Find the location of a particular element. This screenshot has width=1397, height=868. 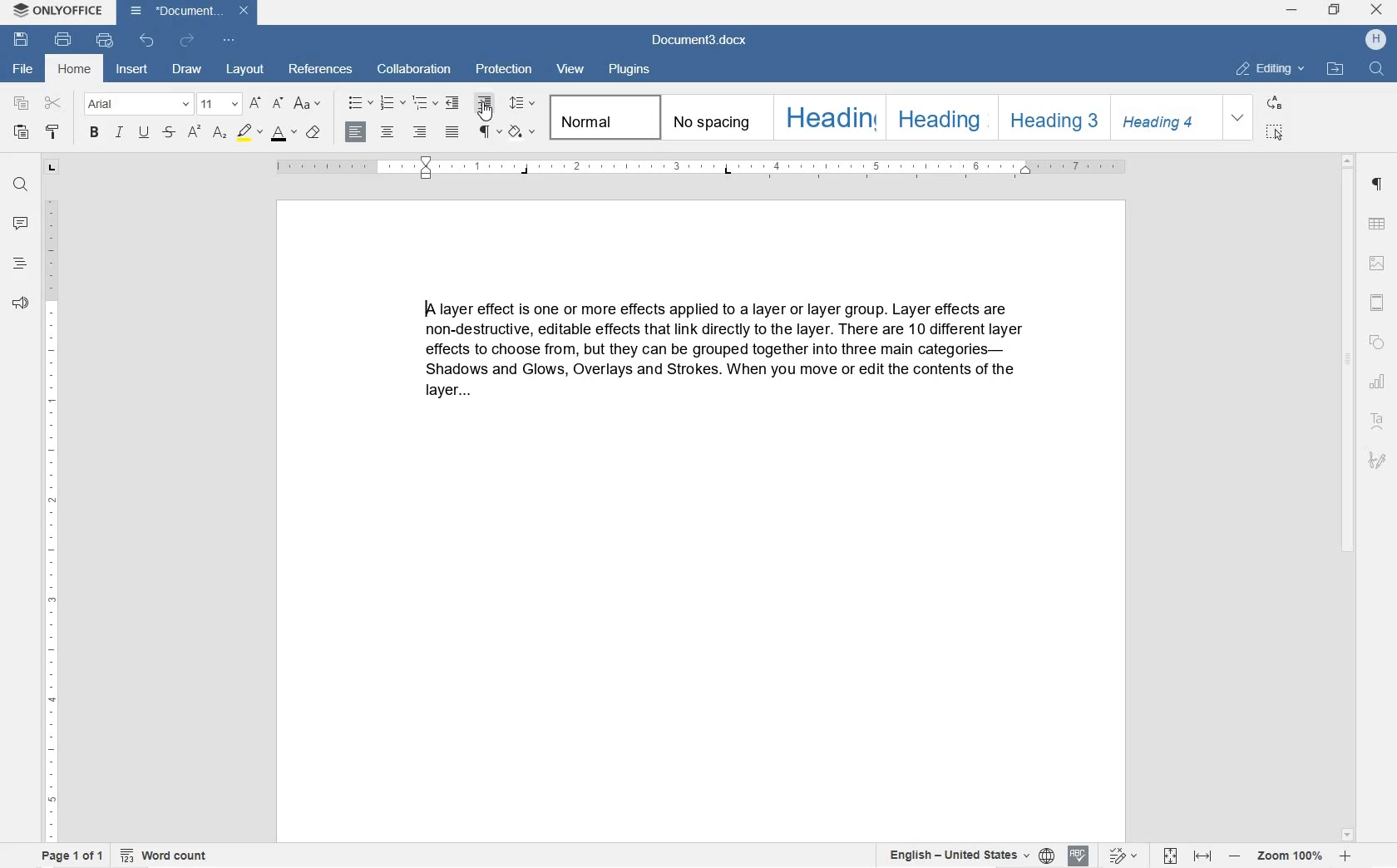

IMAGE is located at coordinates (1379, 264).